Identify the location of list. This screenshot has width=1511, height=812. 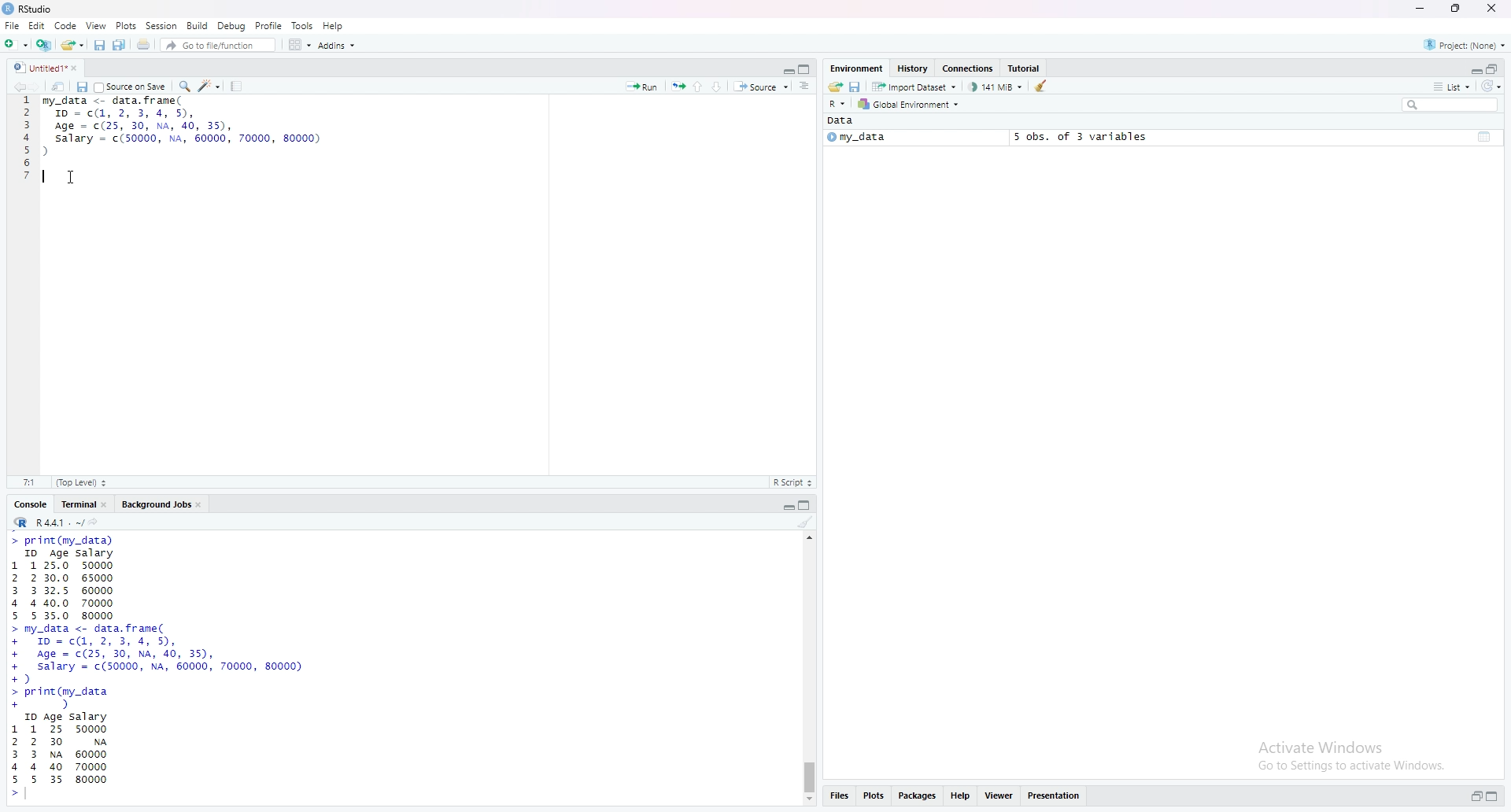
(1451, 87).